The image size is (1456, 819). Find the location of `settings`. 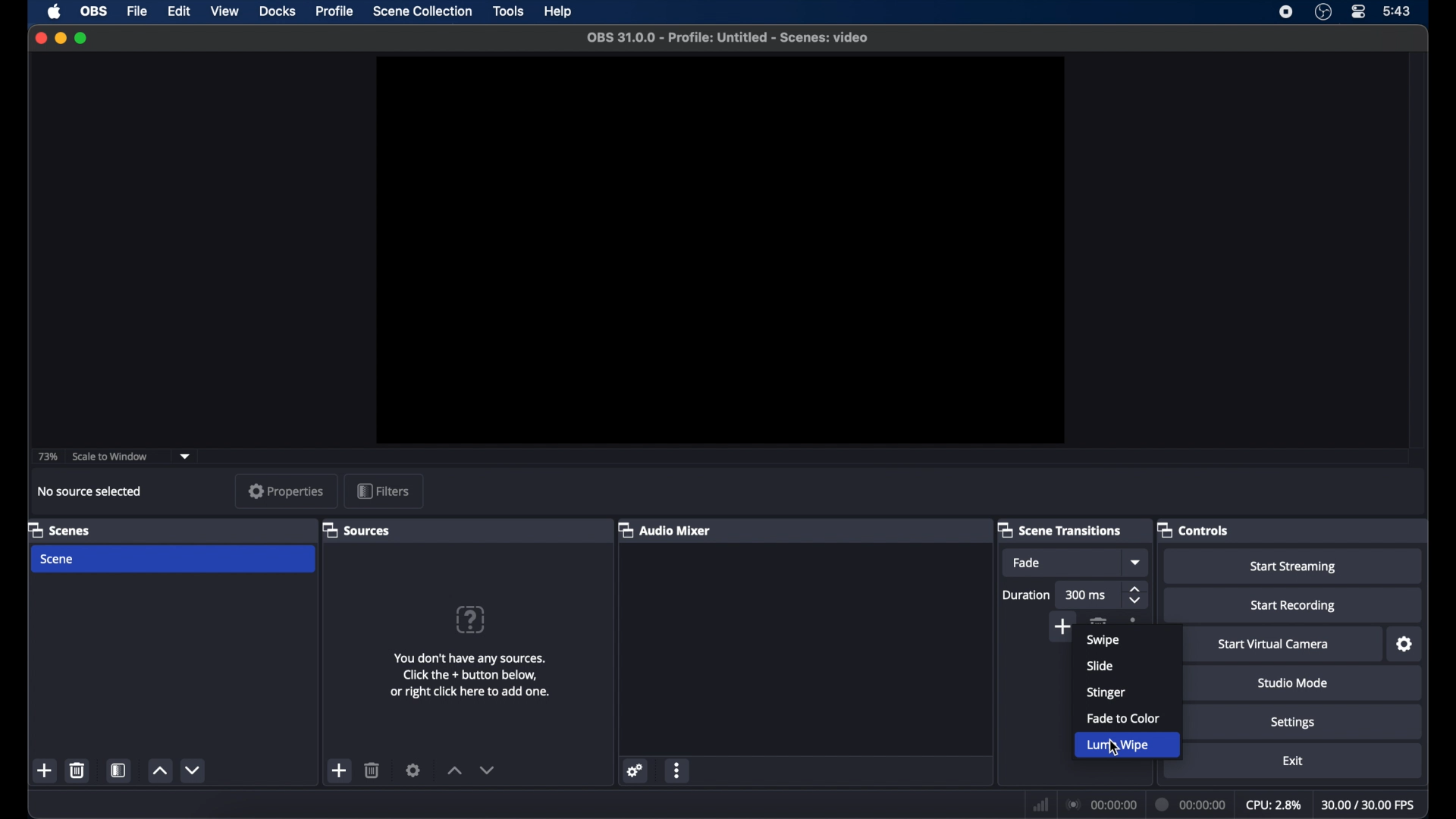

settings is located at coordinates (635, 772).